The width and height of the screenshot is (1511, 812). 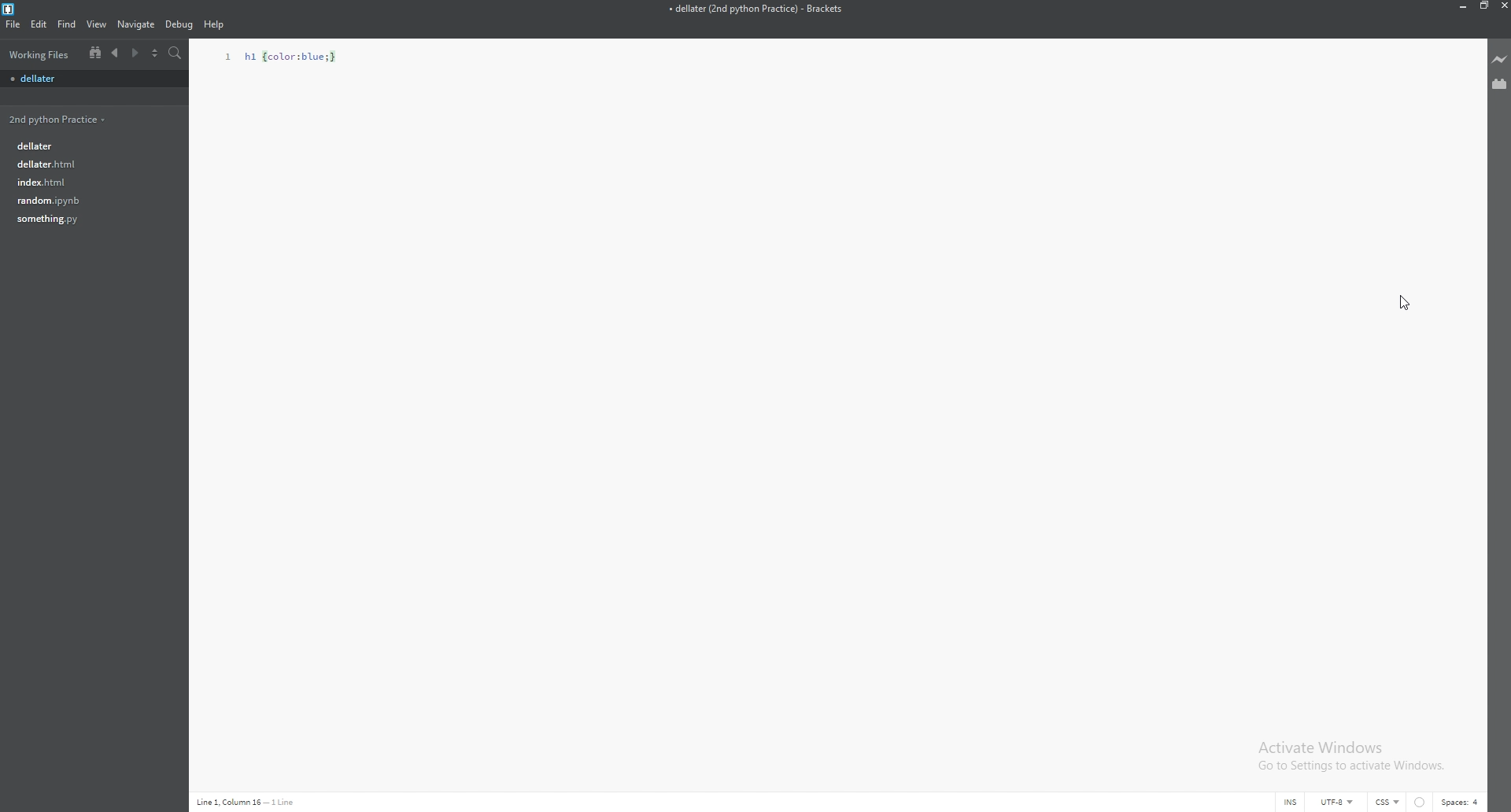 What do you see at coordinates (1388, 802) in the screenshot?
I see `css` at bounding box center [1388, 802].